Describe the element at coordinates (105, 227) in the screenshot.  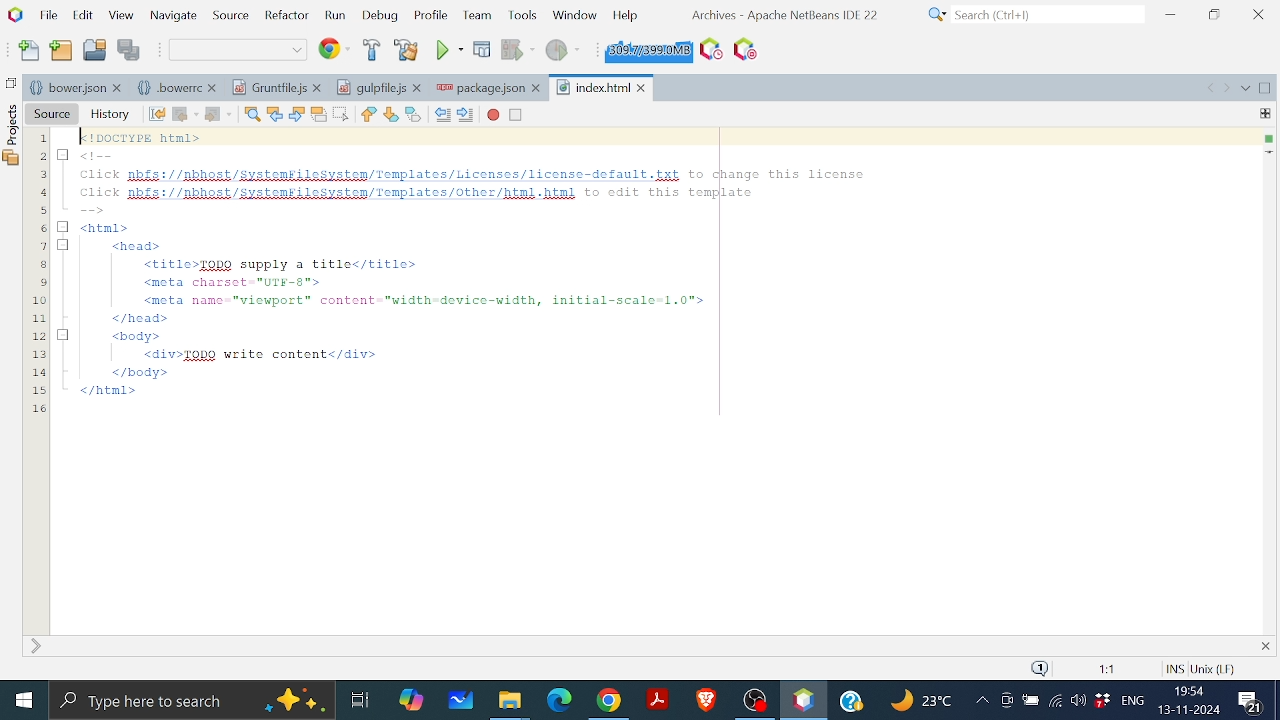
I see `<html>` at that location.